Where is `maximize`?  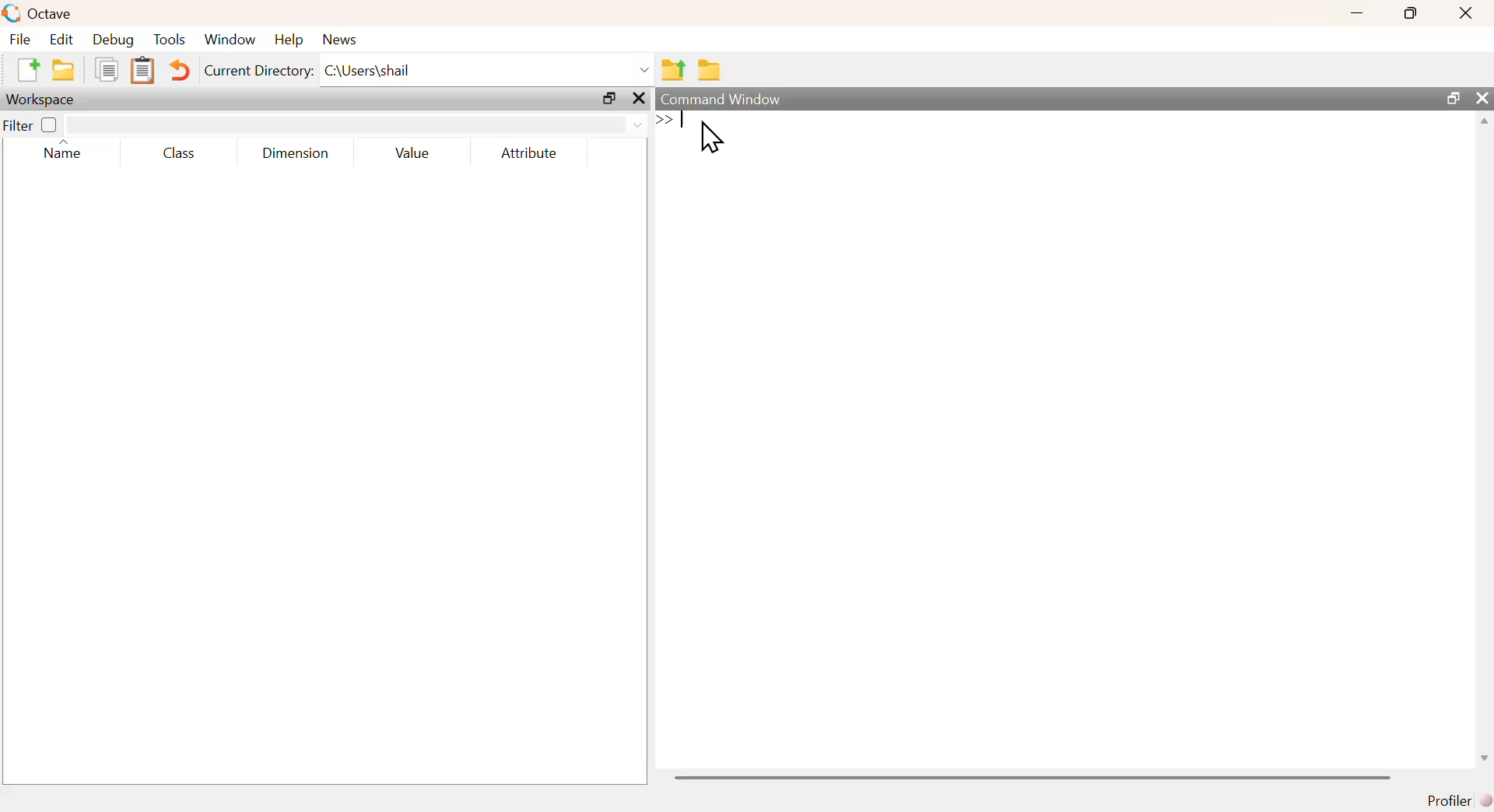 maximize is located at coordinates (608, 100).